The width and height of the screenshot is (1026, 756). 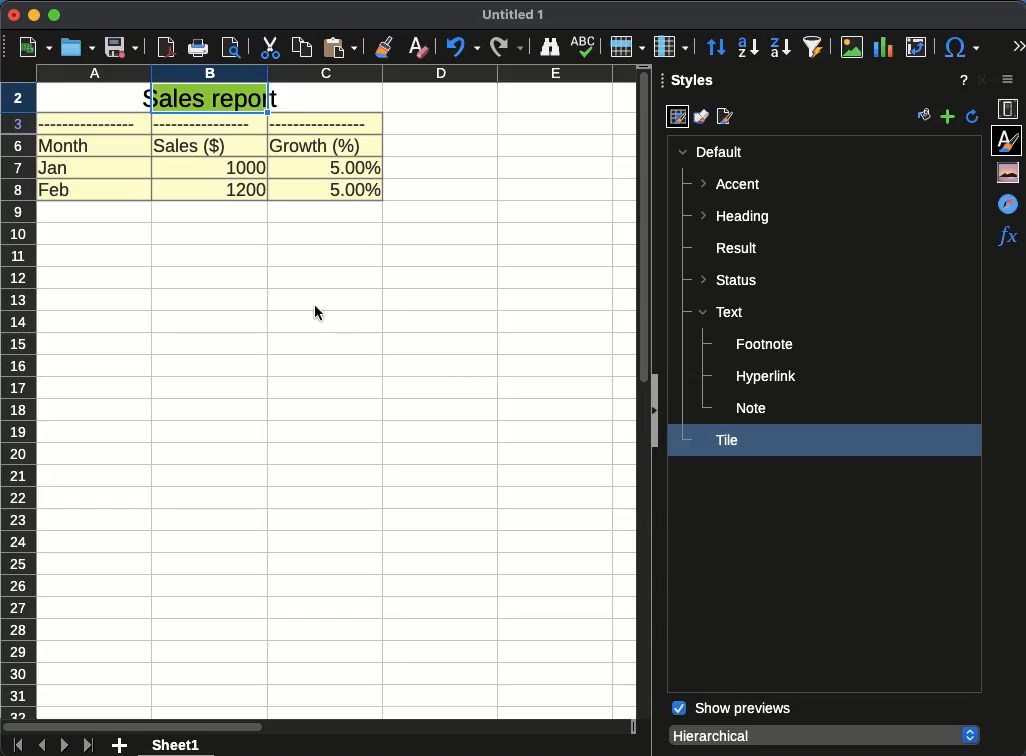 I want to click on image, so click(x=854, y=47).